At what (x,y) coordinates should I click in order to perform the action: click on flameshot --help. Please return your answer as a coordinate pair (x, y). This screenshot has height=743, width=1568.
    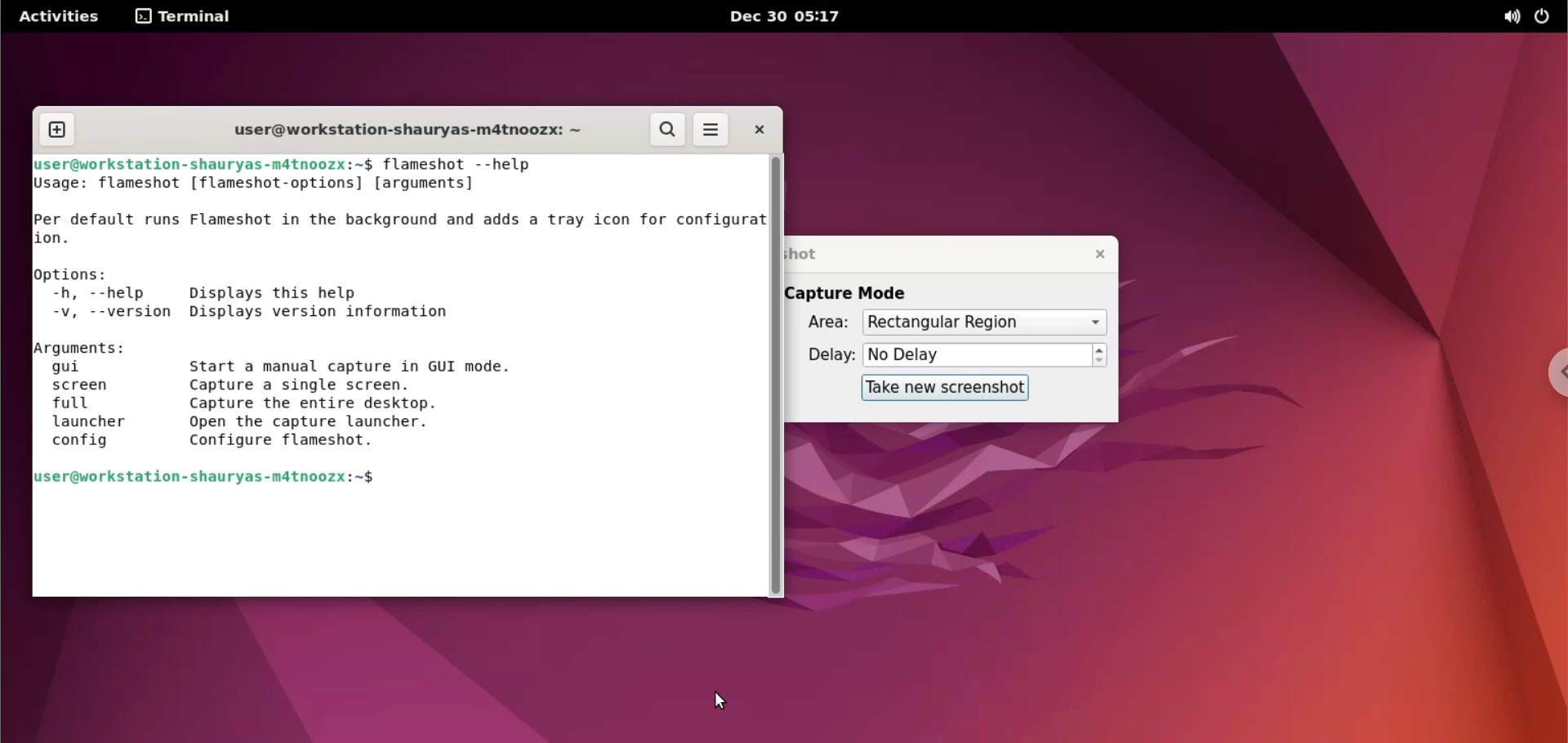
    Looking at the image, I should click on (471, 163).